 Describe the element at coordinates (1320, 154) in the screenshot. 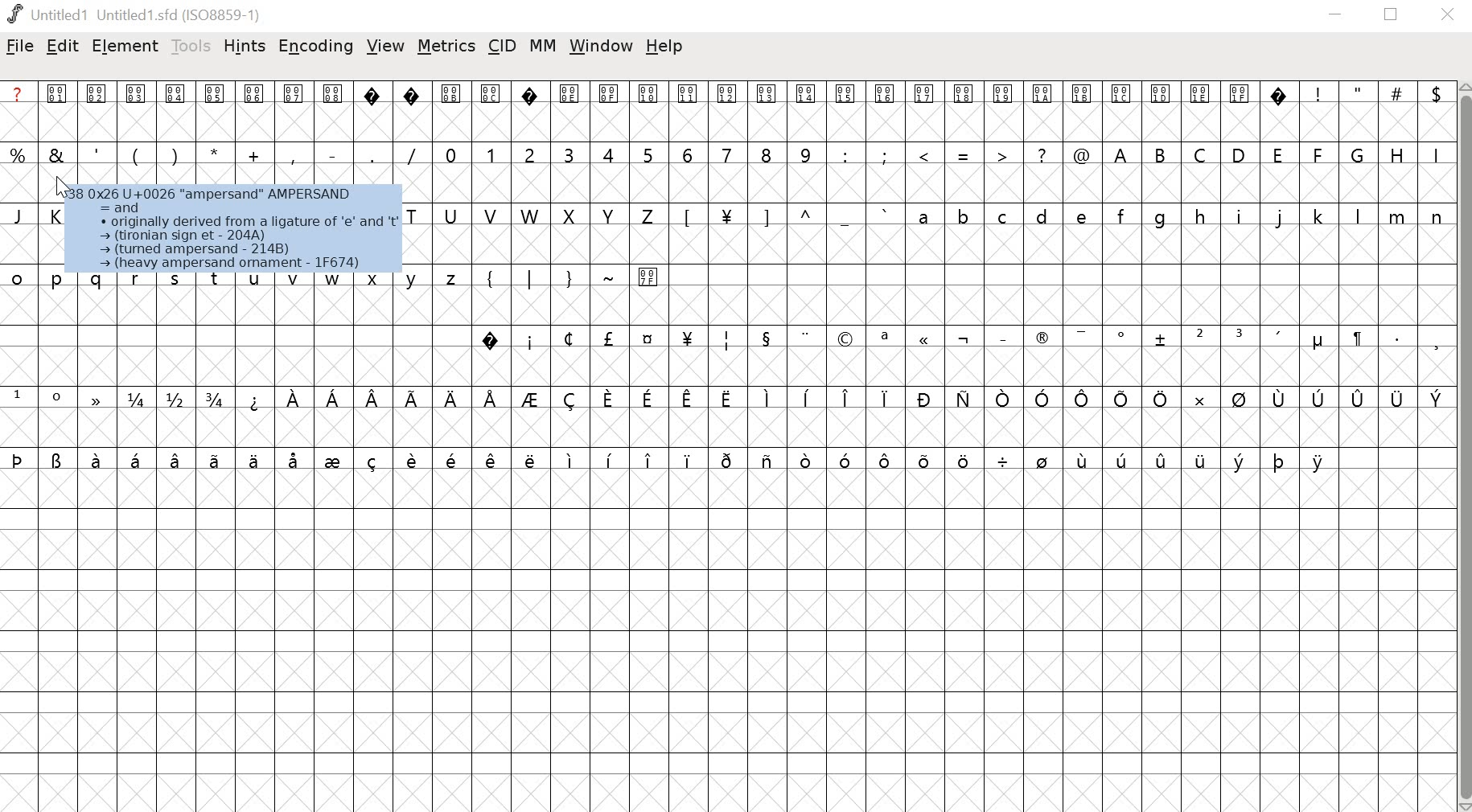

I see `F` at that location.